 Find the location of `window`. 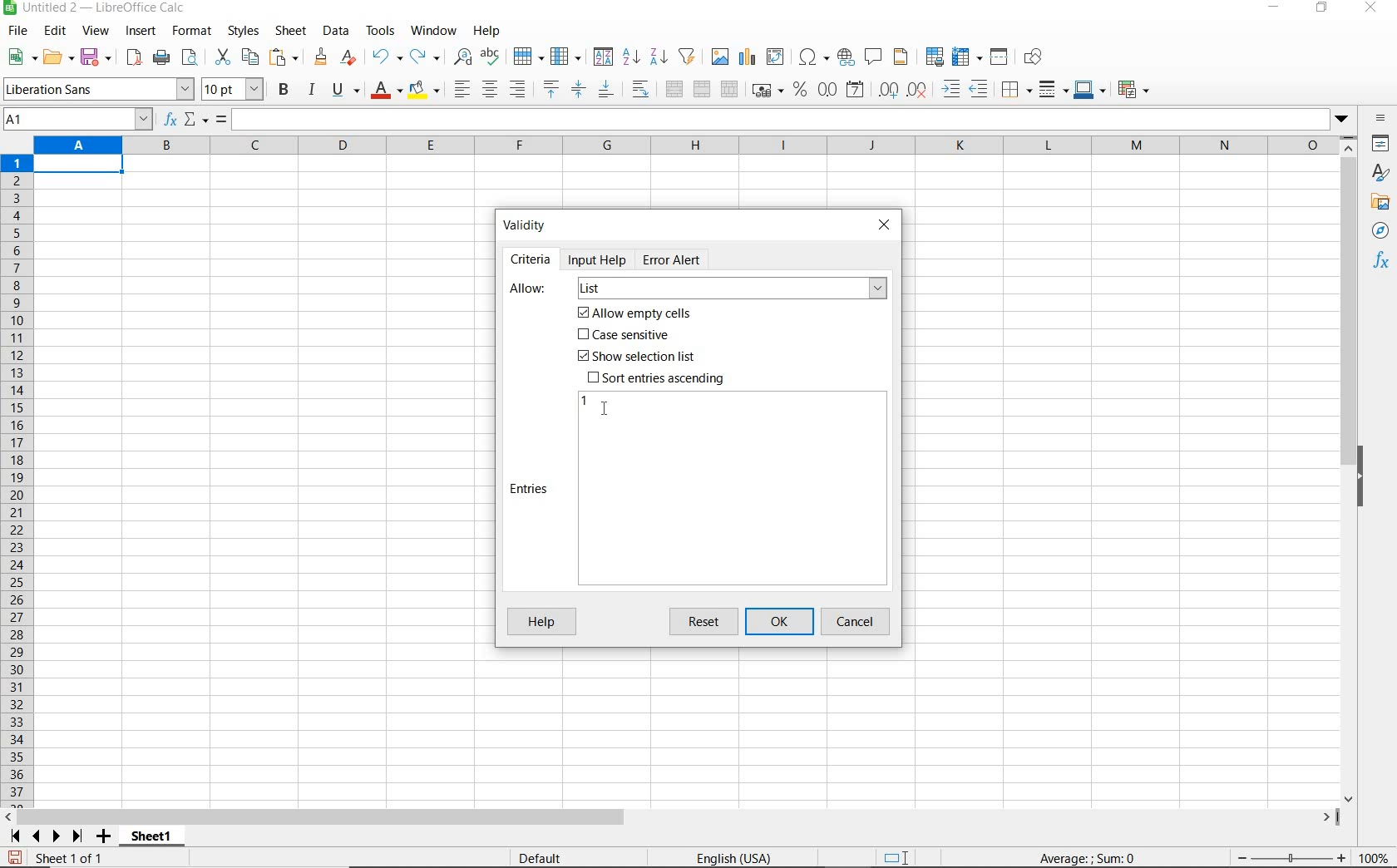

window is located at coordinates (433, 28).